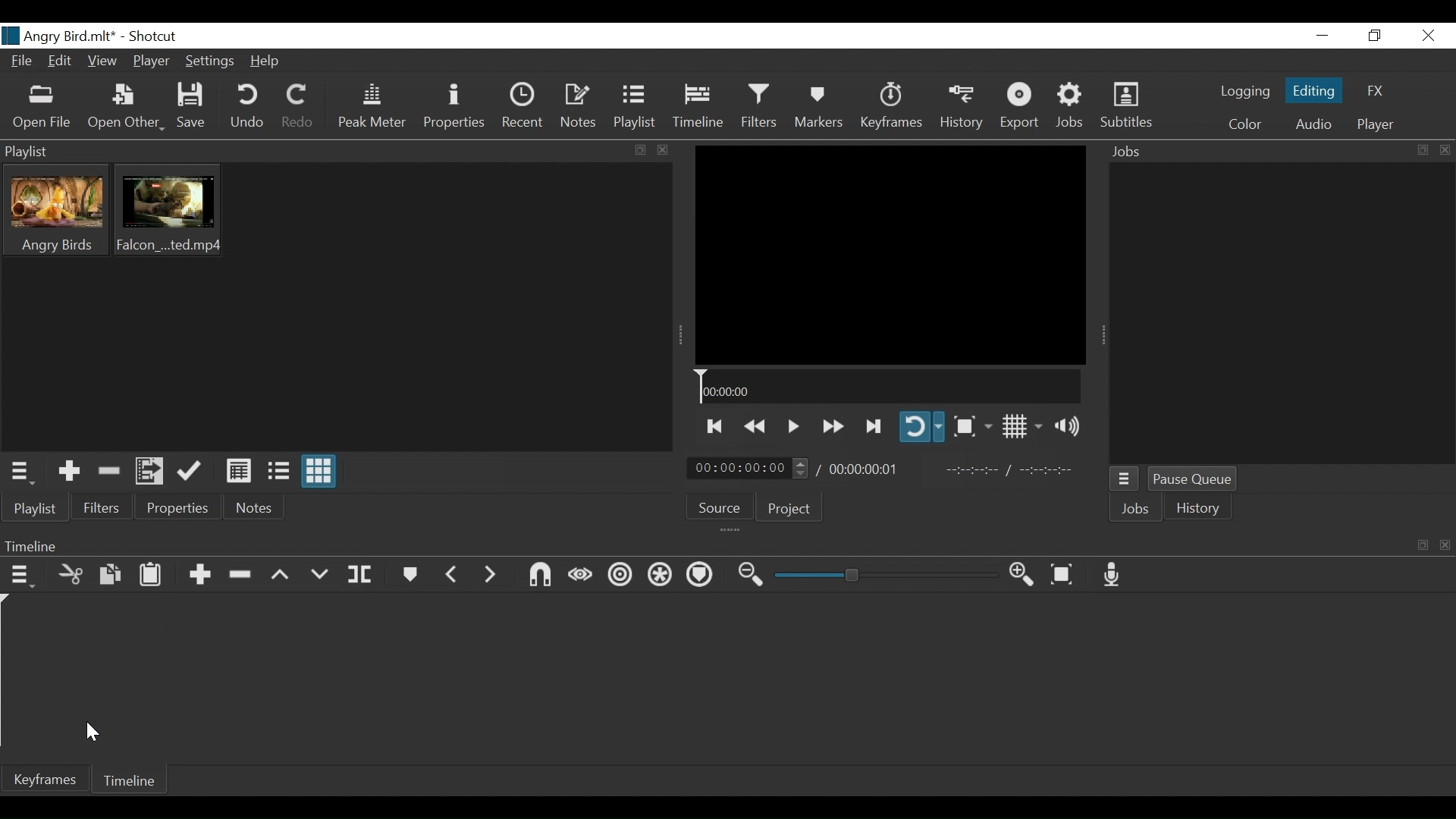 Image resolution: width=1456 pixels, height=819 pixels. I want to click on Settings, so click(210, 62).